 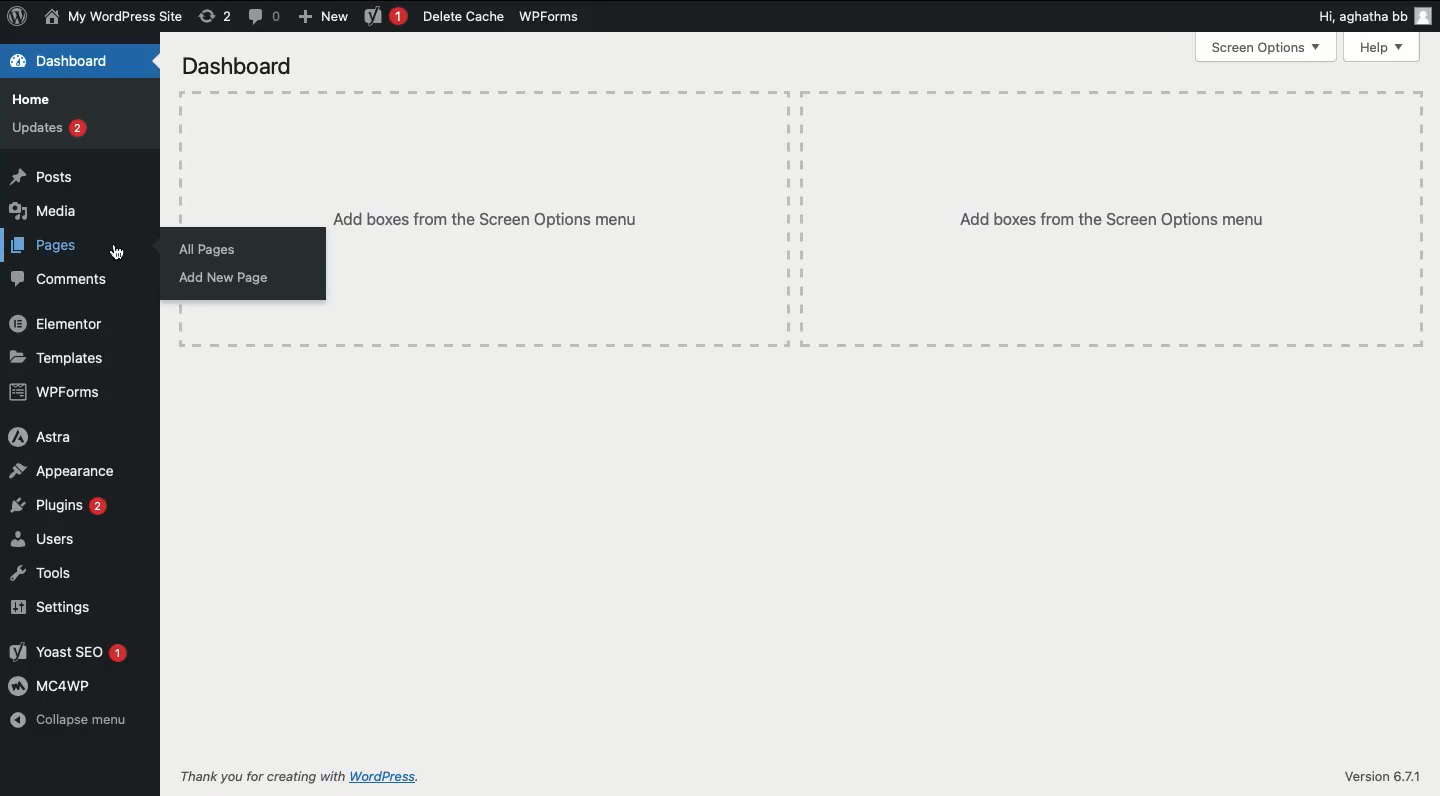 What do you see at coordinates (50, 607) in the screenshot?
I see `Settings` at bounding box center [50, 607].